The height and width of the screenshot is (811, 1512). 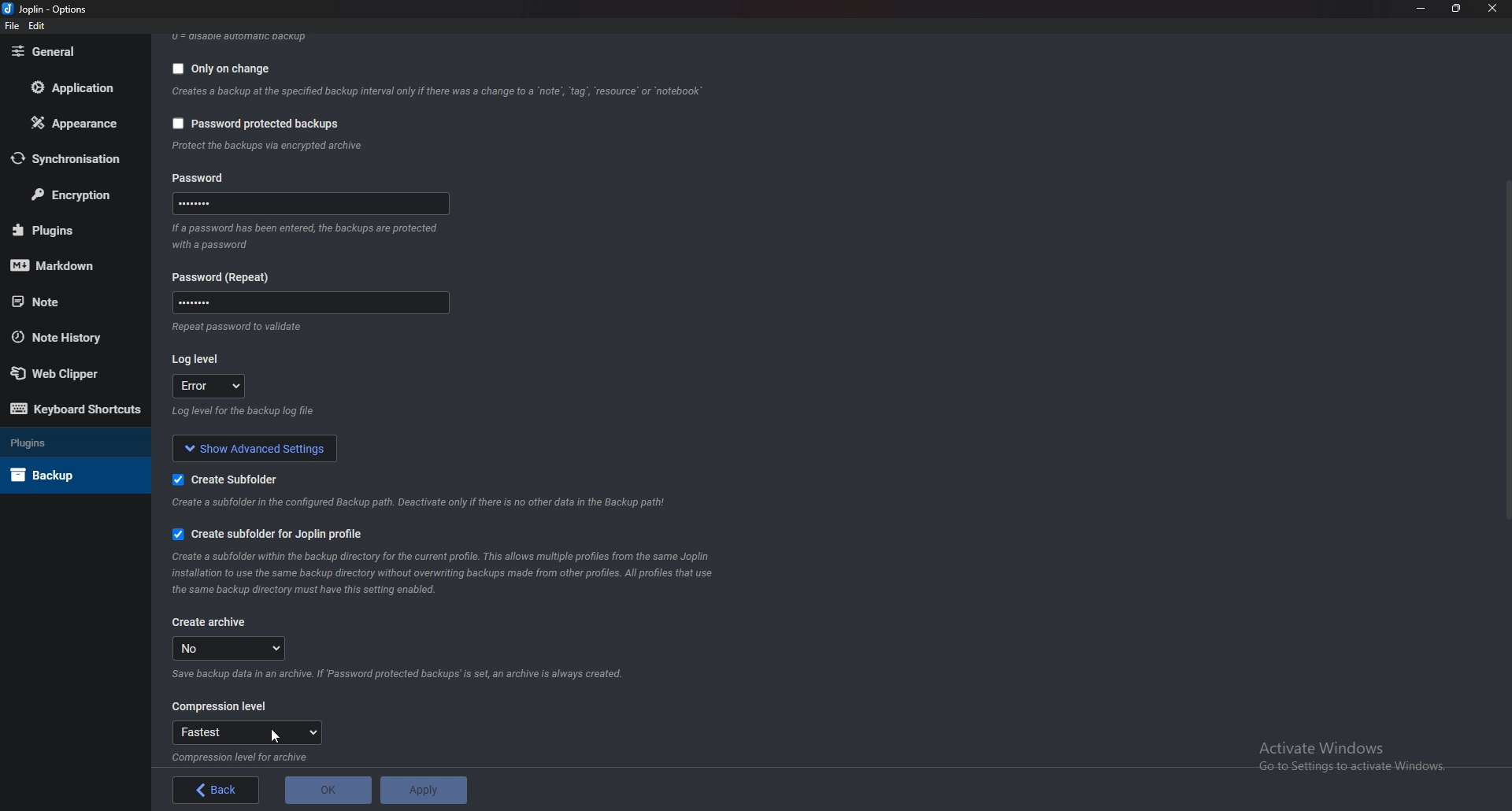 I want to click on Encryption, so click(x=77, y=194).